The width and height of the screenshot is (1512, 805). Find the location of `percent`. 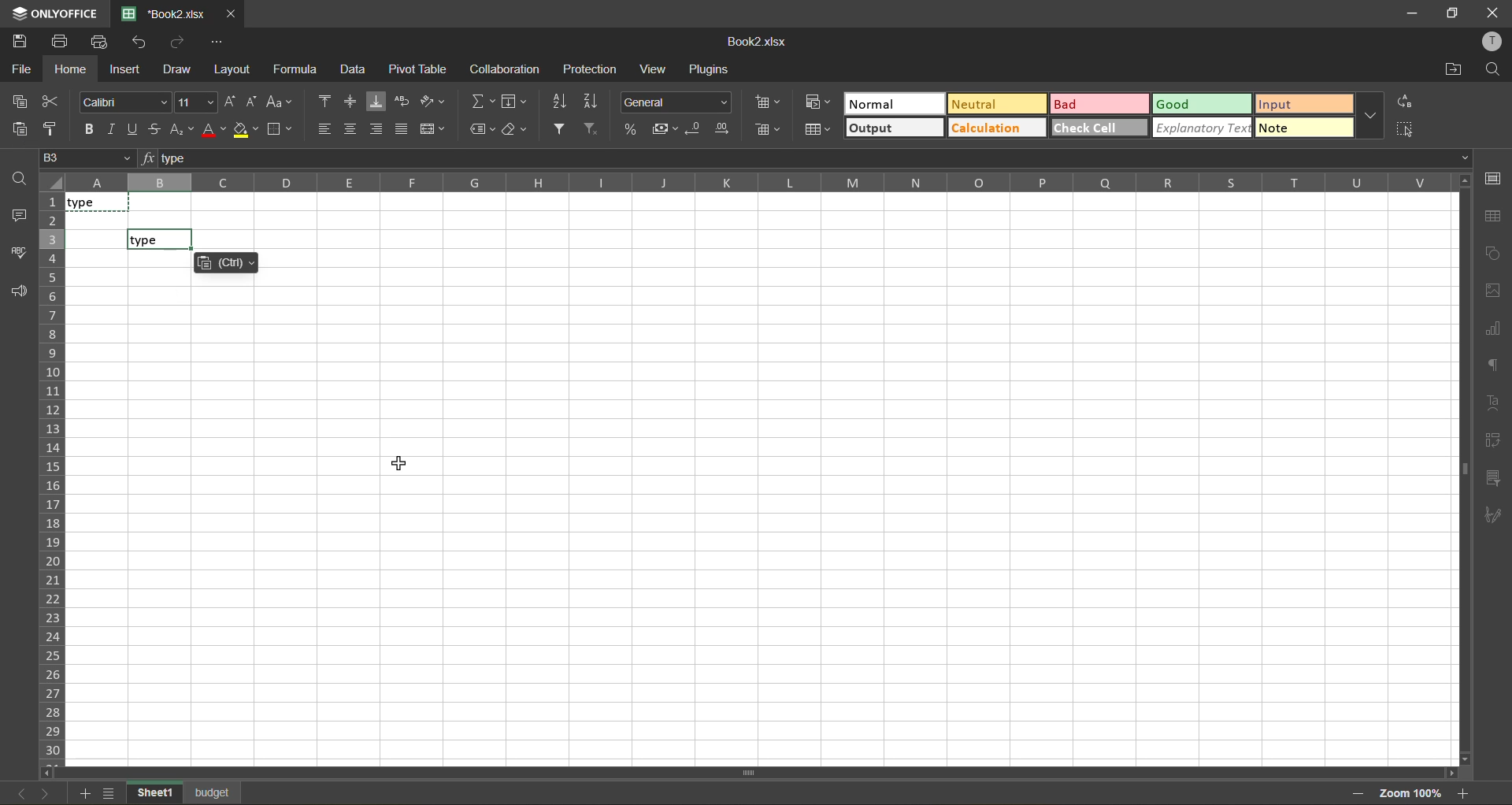

percent is located at coordinates (628, 128).